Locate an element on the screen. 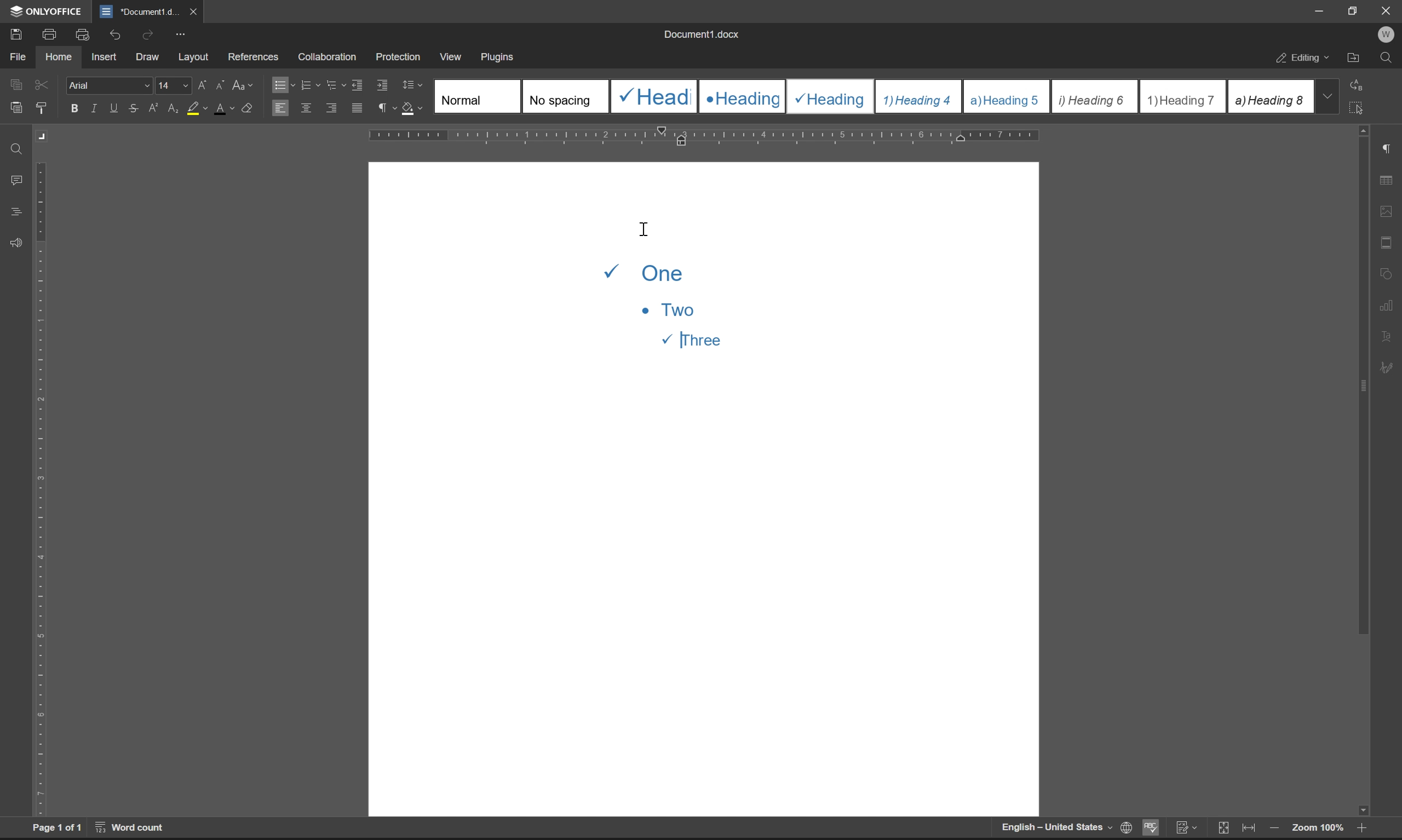  replace is located at coordinates (1360, 84).